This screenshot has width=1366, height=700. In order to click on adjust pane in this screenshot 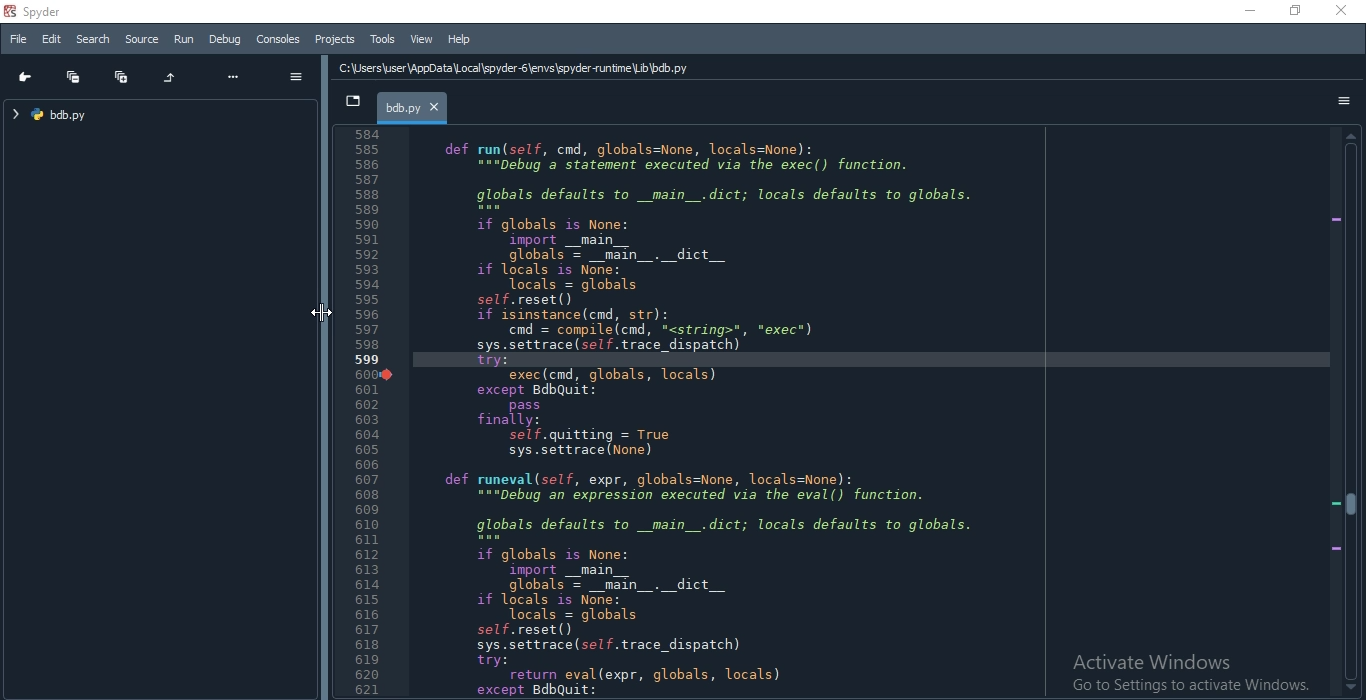, I will do `click(324, 376)`.